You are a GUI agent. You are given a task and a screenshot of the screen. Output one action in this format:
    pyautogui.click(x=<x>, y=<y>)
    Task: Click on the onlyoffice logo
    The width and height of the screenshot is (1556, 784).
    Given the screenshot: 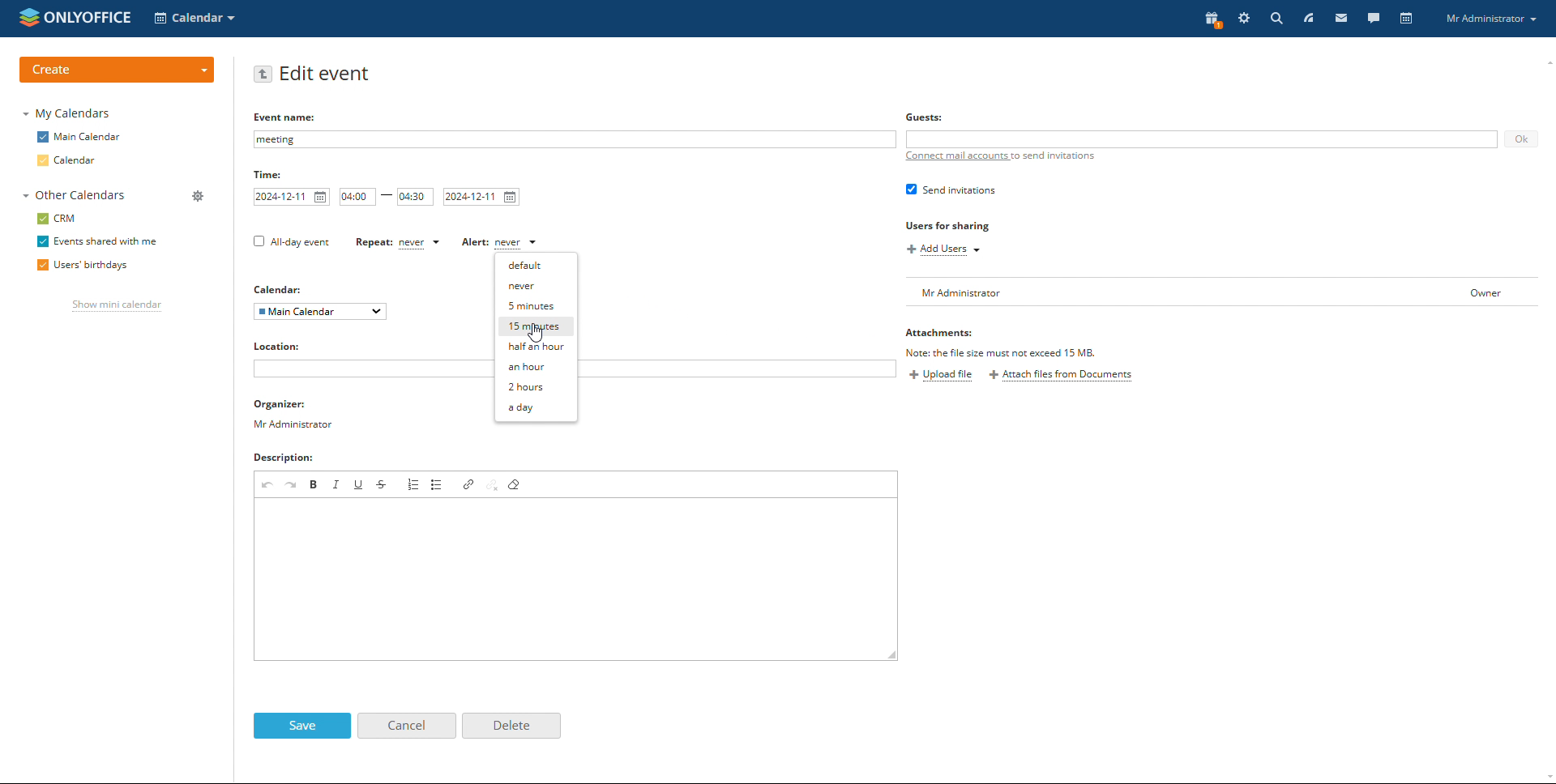 What is the action you would take?
    pyautogui.click(x=30, y=19)
    